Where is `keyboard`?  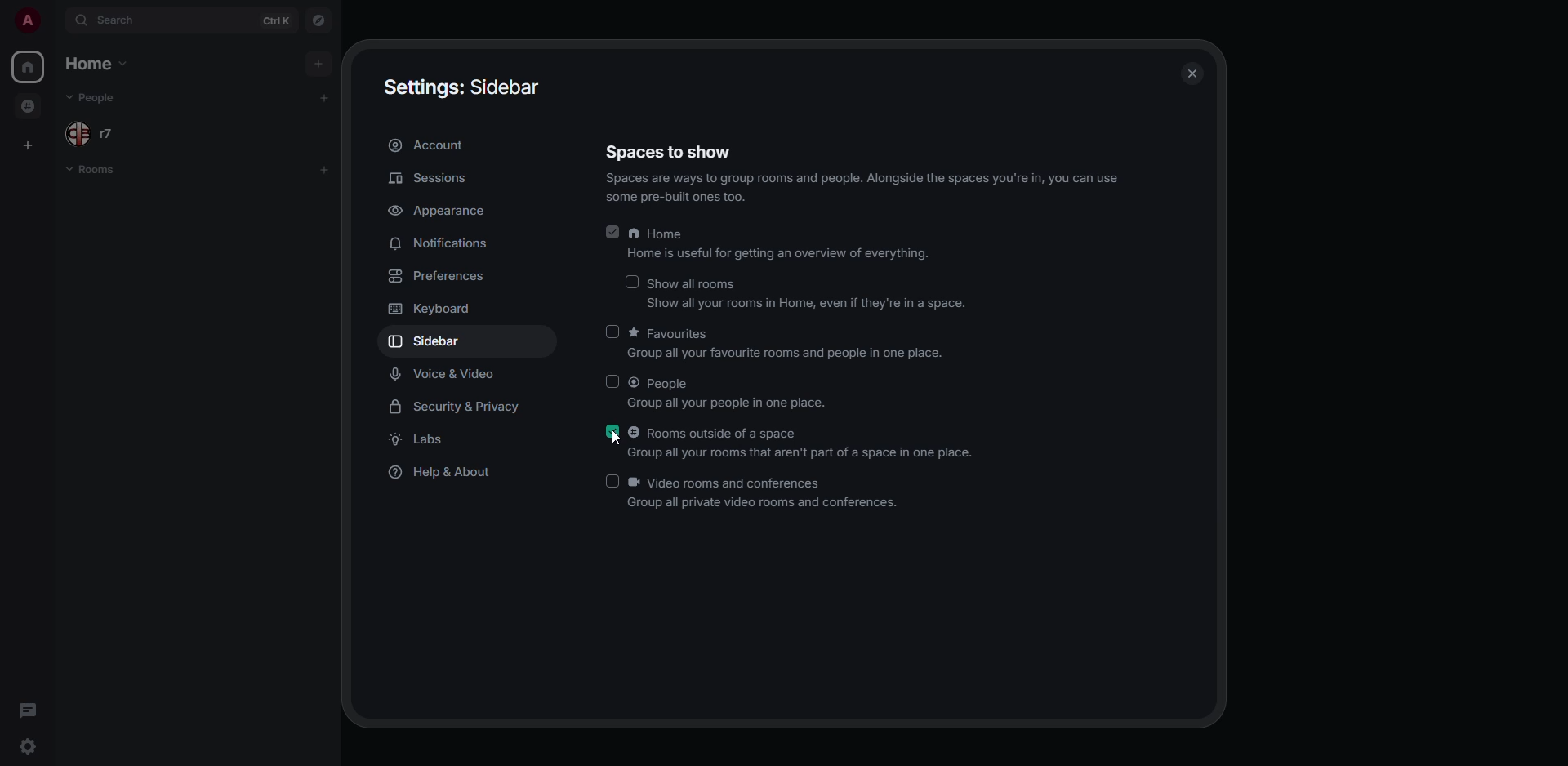
keyboard is located at coordinates (430, 311).